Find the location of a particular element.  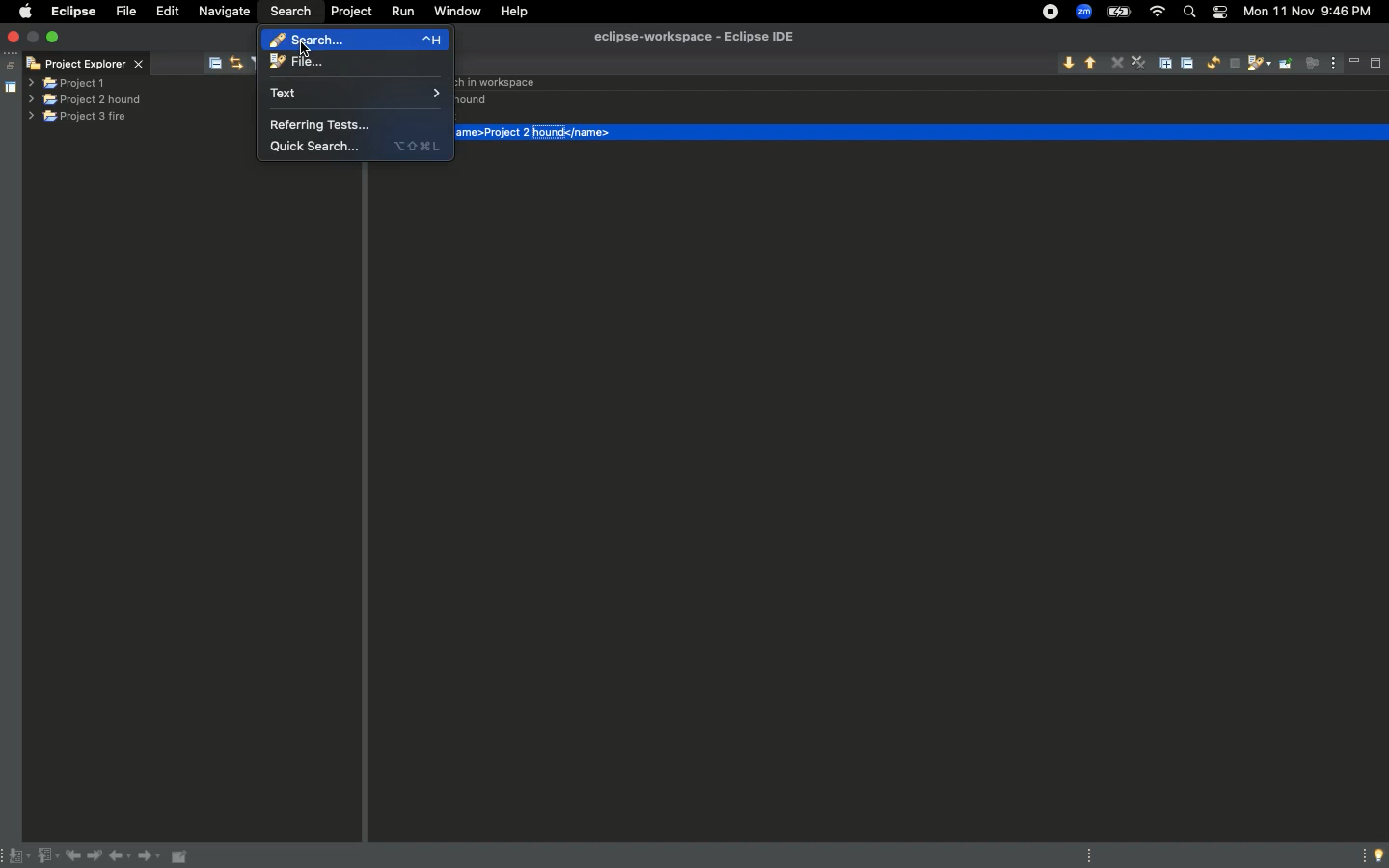

Previous annotation is located at coordinates (46, 856).